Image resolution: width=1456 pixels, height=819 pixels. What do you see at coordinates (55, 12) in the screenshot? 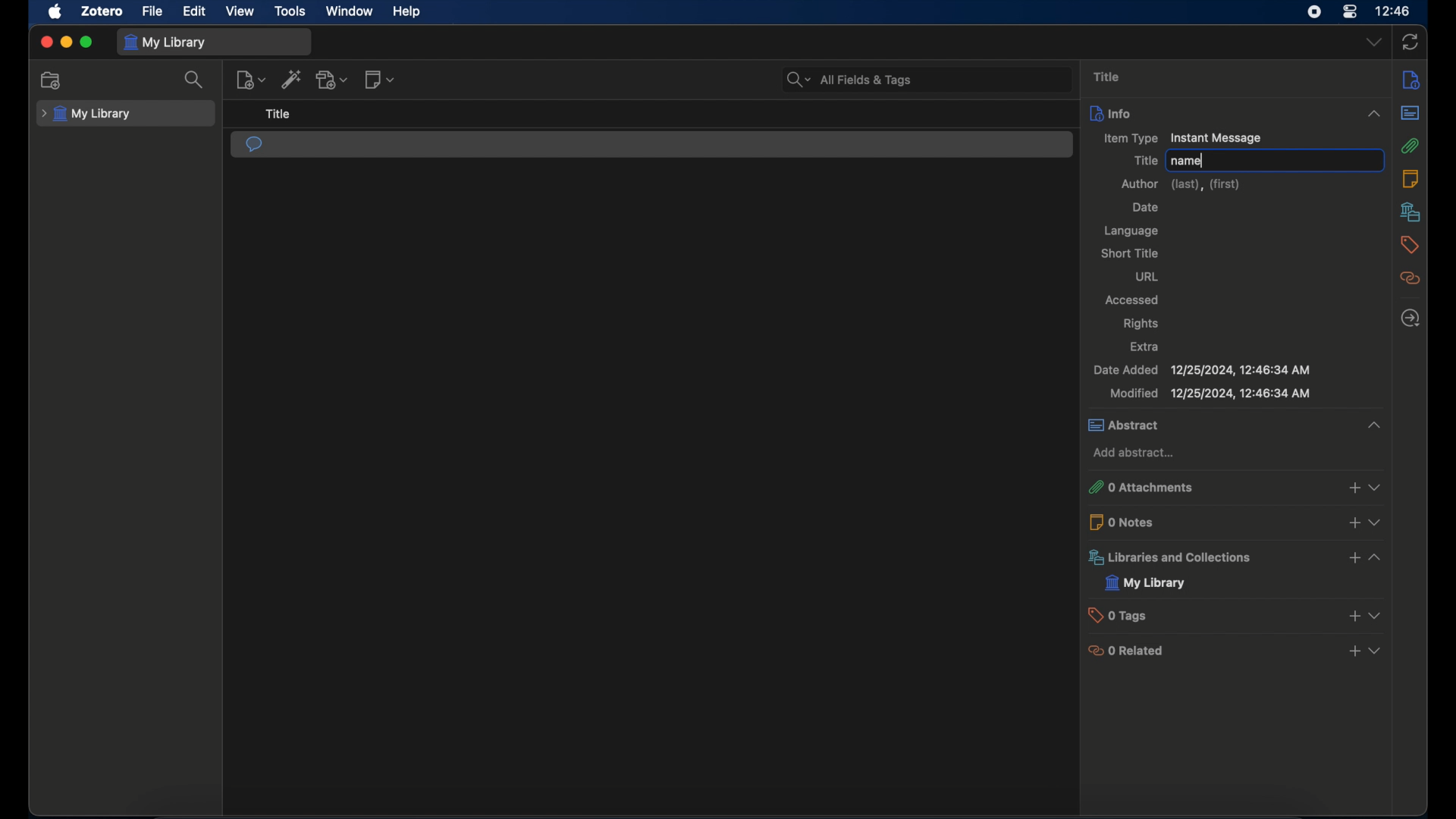
I see `apple` at bounding box center [55, 12].